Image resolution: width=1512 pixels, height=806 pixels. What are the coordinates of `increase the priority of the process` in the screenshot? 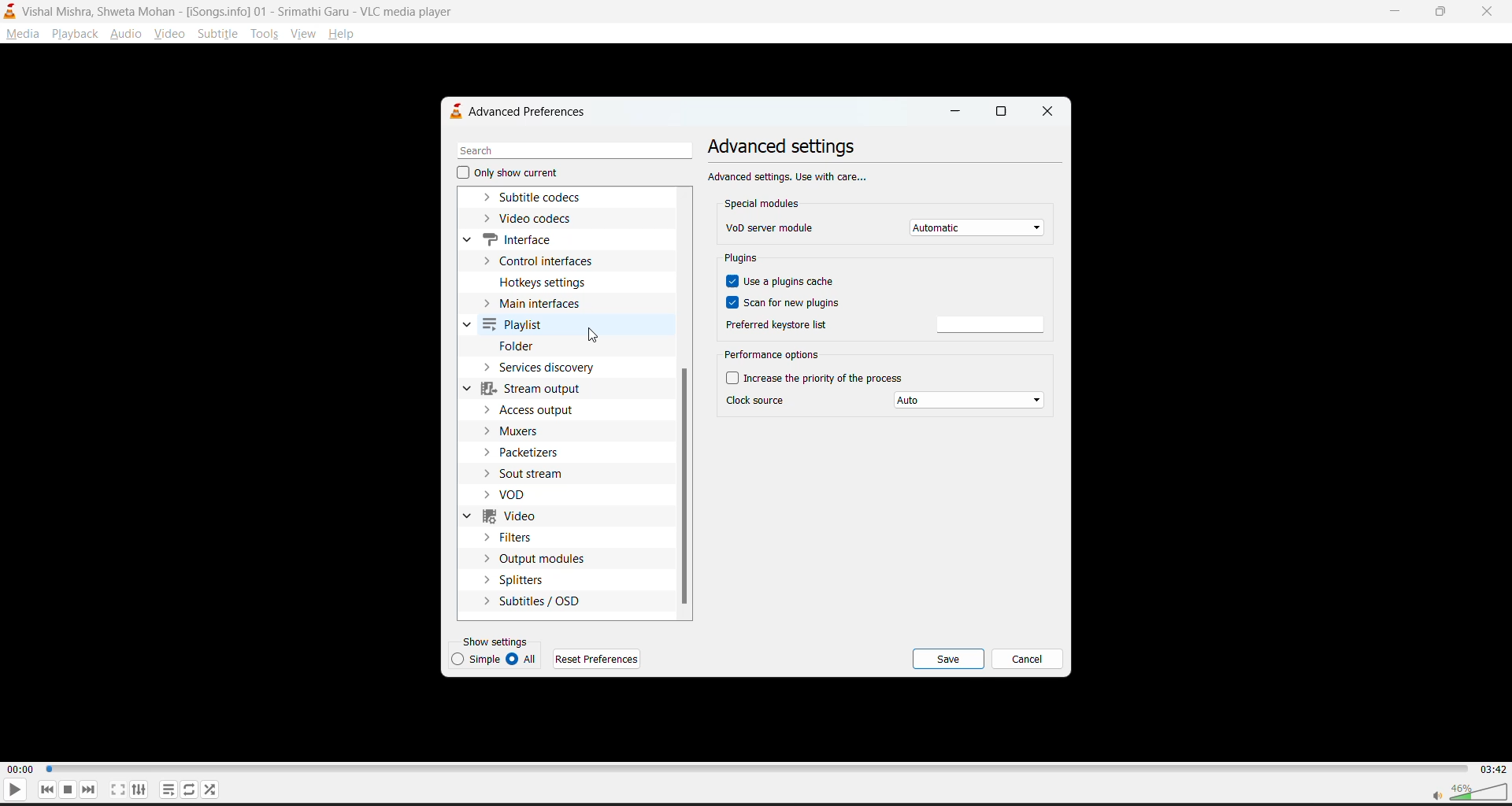 It's located at (817, 379).